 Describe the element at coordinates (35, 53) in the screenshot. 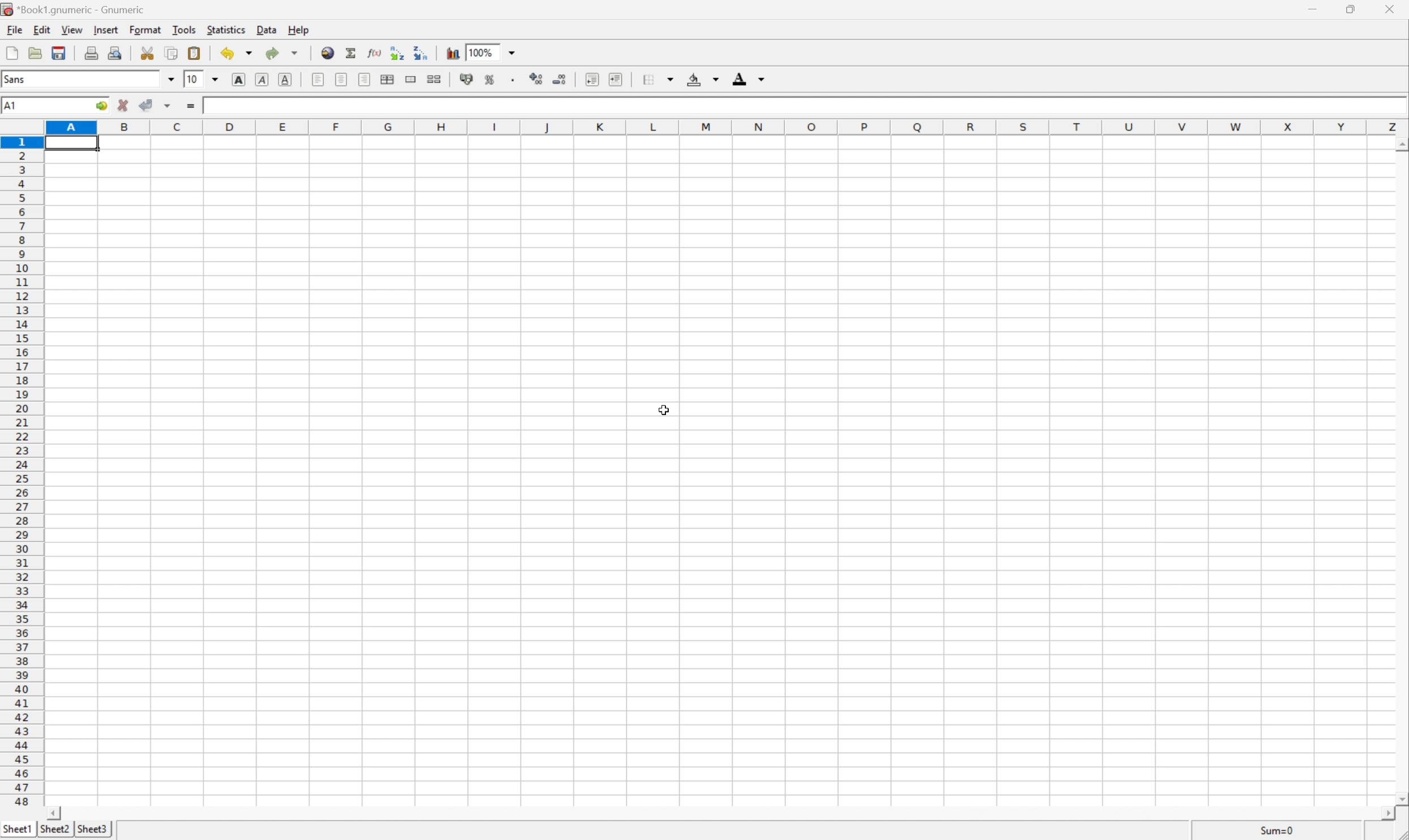

I see `Open a file` at that location.